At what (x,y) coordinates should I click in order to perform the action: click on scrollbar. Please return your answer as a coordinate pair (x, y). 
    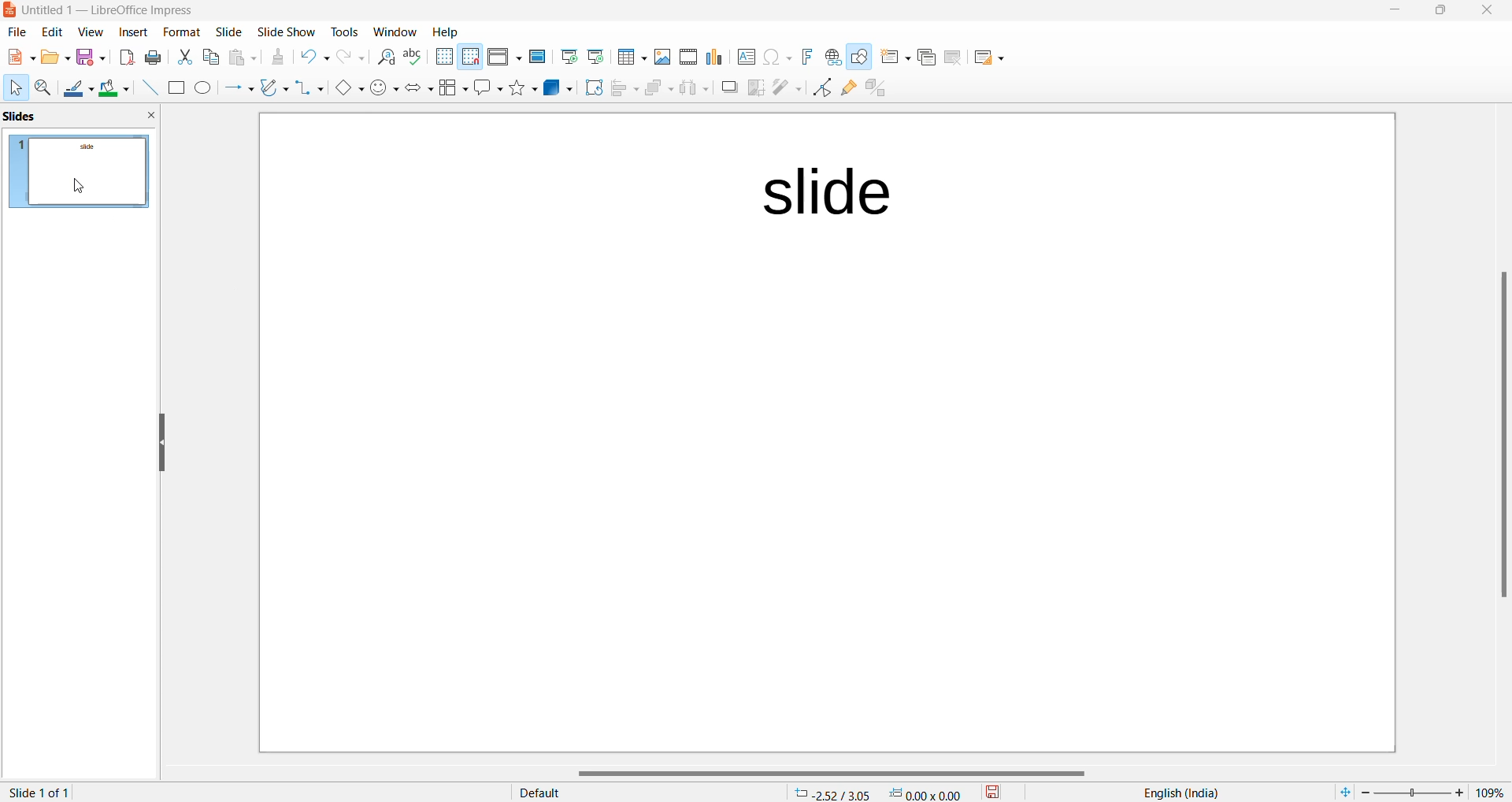
    Looking at the image, I should click on (1502, 433).